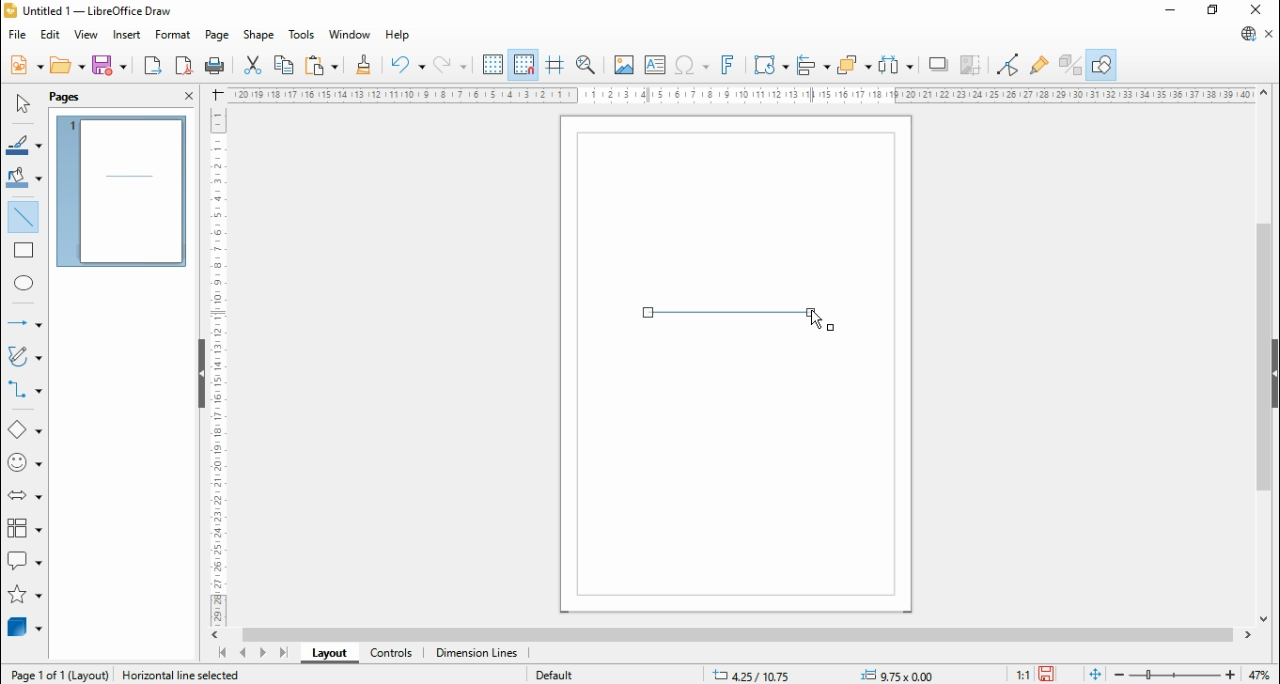  Describe the element at coordinates (1262, 357) in the screenshot. I see `scroll bar` at that location.